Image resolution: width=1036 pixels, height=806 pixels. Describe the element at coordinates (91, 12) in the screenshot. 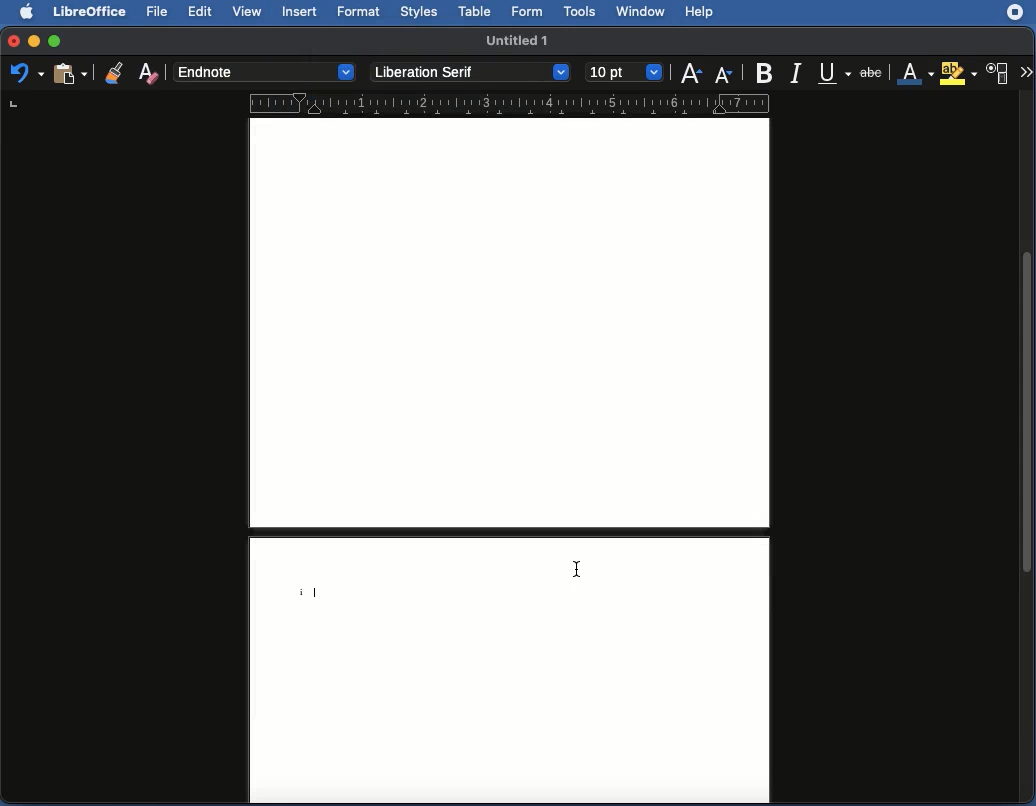

I see `LibreOffice` at that location.